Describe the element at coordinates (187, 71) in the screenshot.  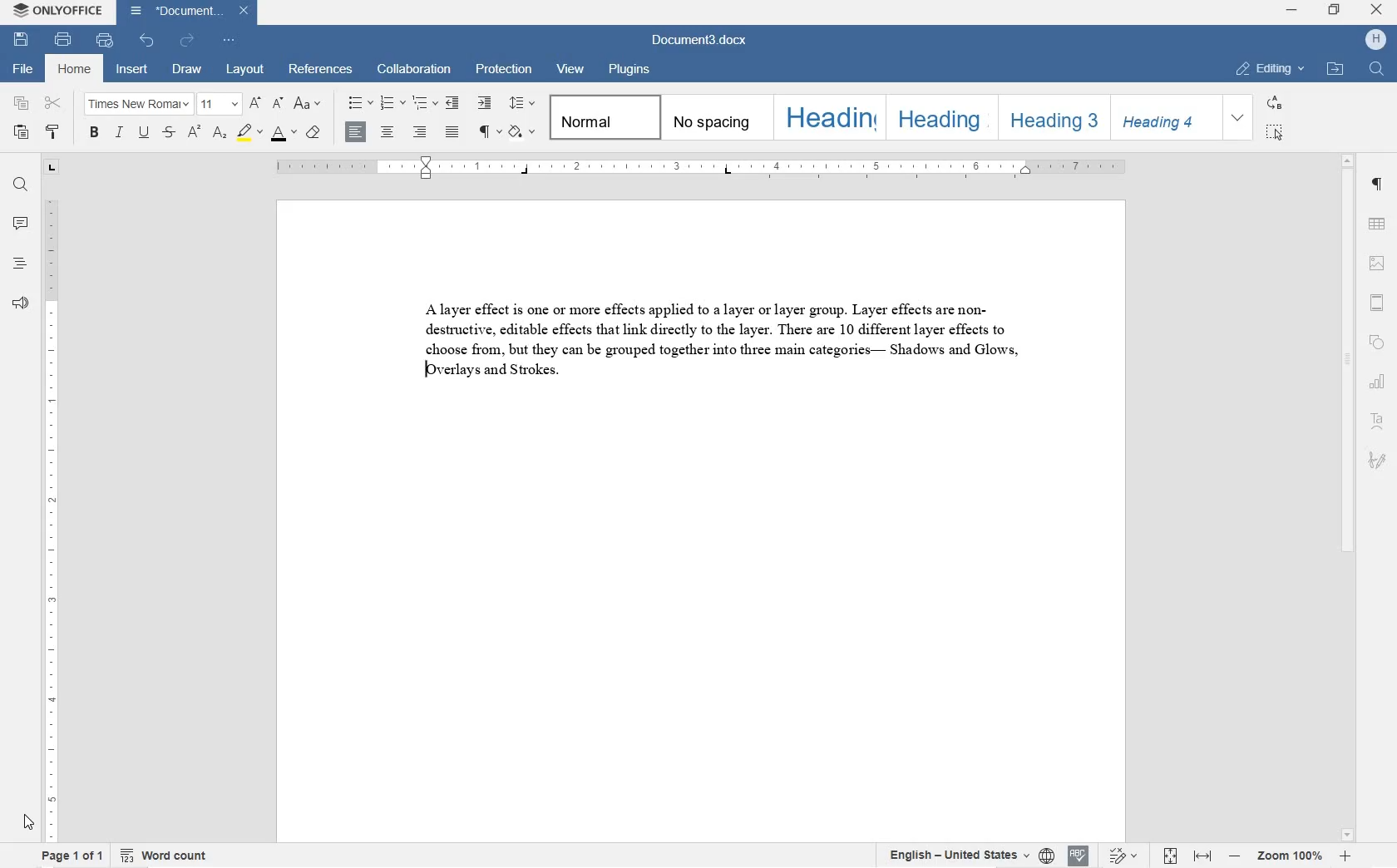
I see `draw` at that location.